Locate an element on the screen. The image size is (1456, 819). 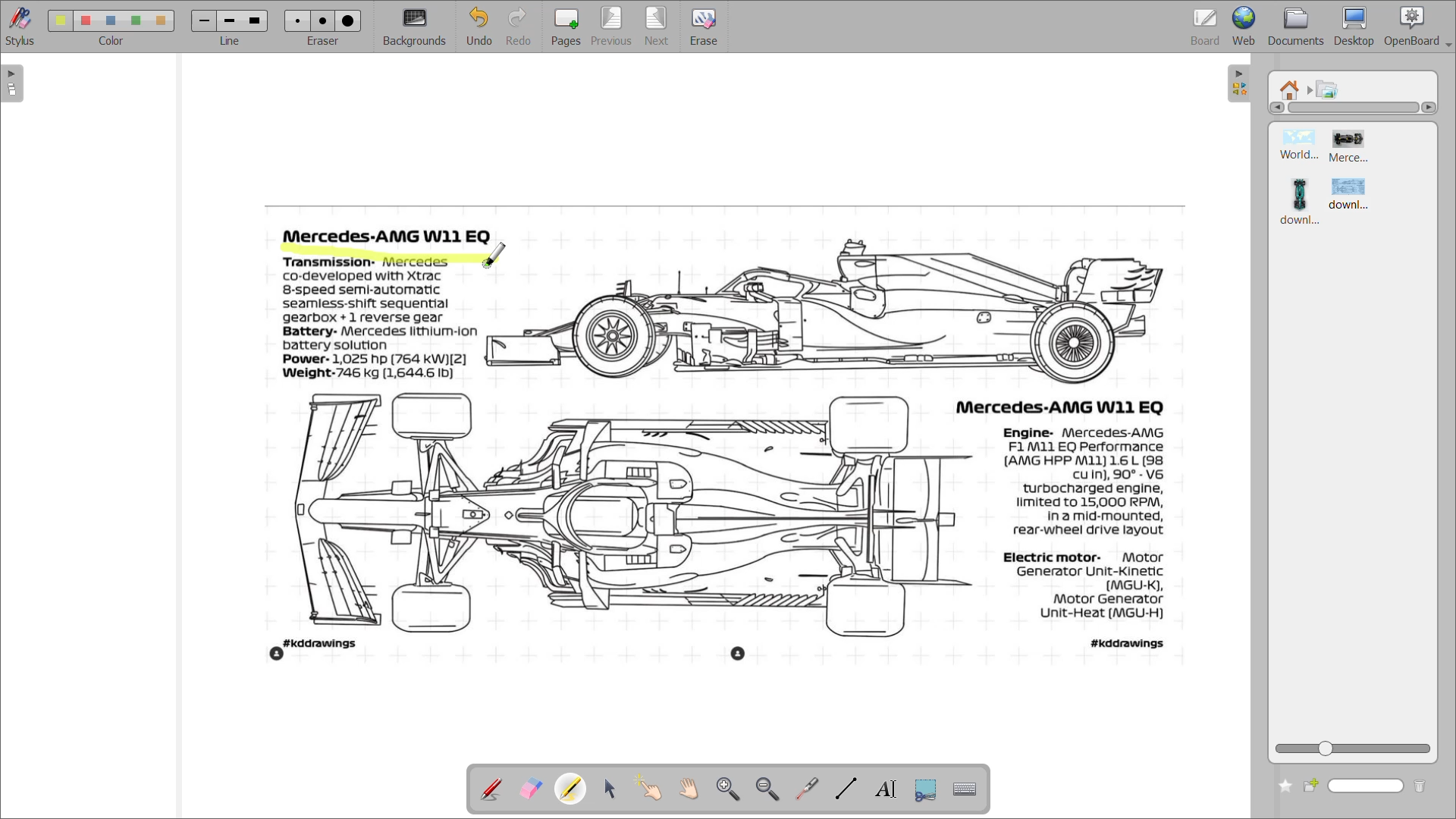
line 3 is located at coordinates (258, 20).